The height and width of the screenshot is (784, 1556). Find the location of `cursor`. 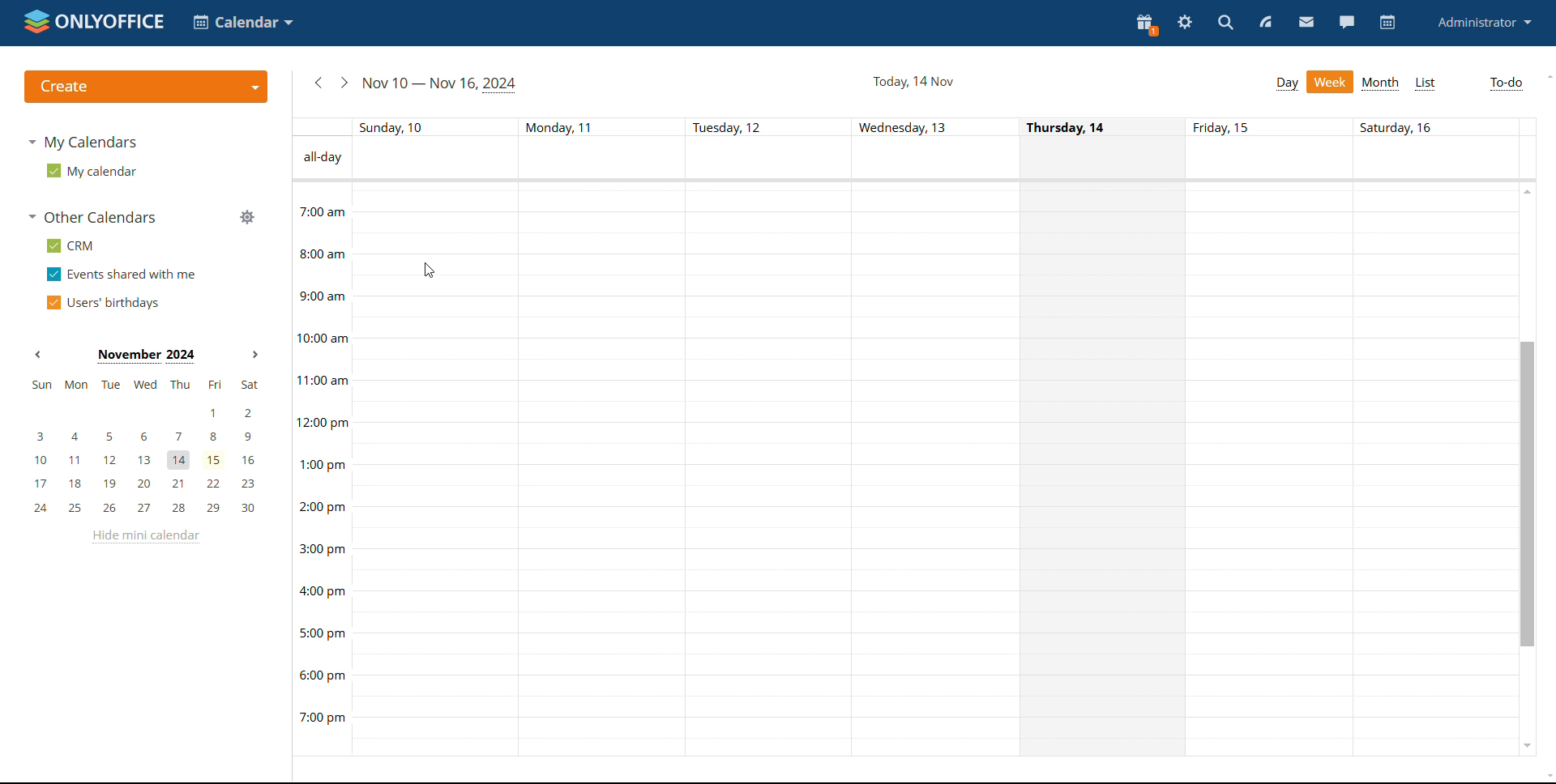

cursor is located at coordinates (430, 271).